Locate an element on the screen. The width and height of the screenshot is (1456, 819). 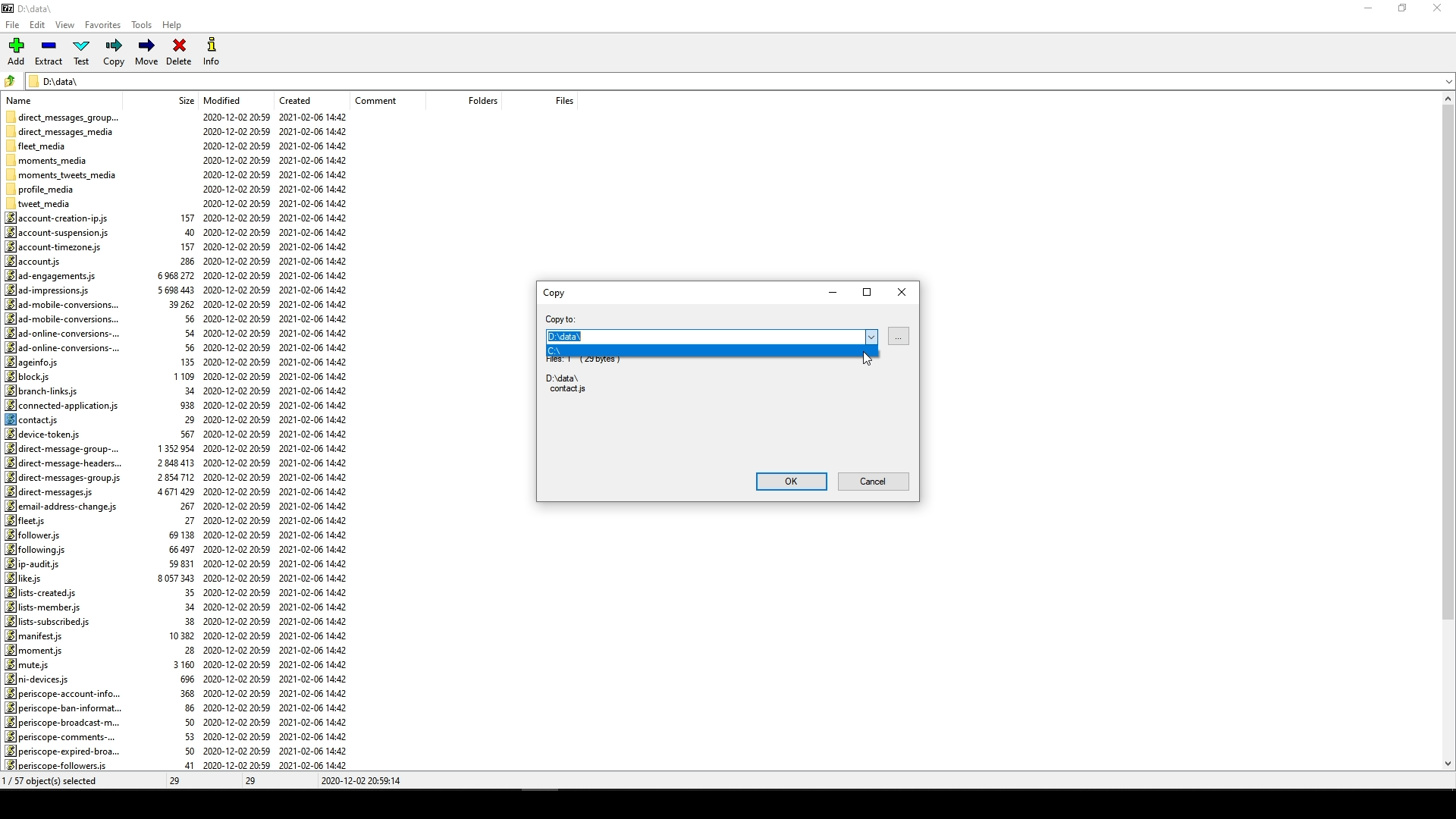
periscope-account-info is located at coordinates (67, 692).